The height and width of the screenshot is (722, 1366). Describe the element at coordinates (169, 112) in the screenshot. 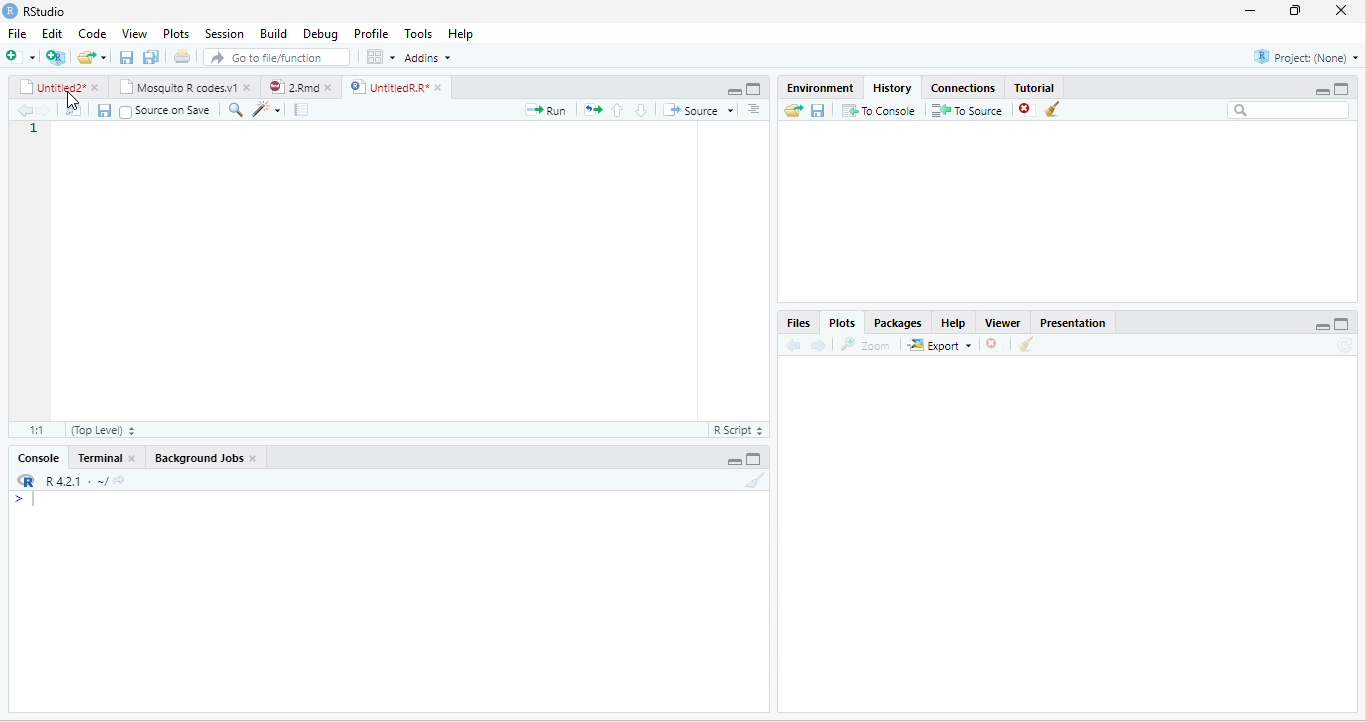

I see `source on save` at that location.